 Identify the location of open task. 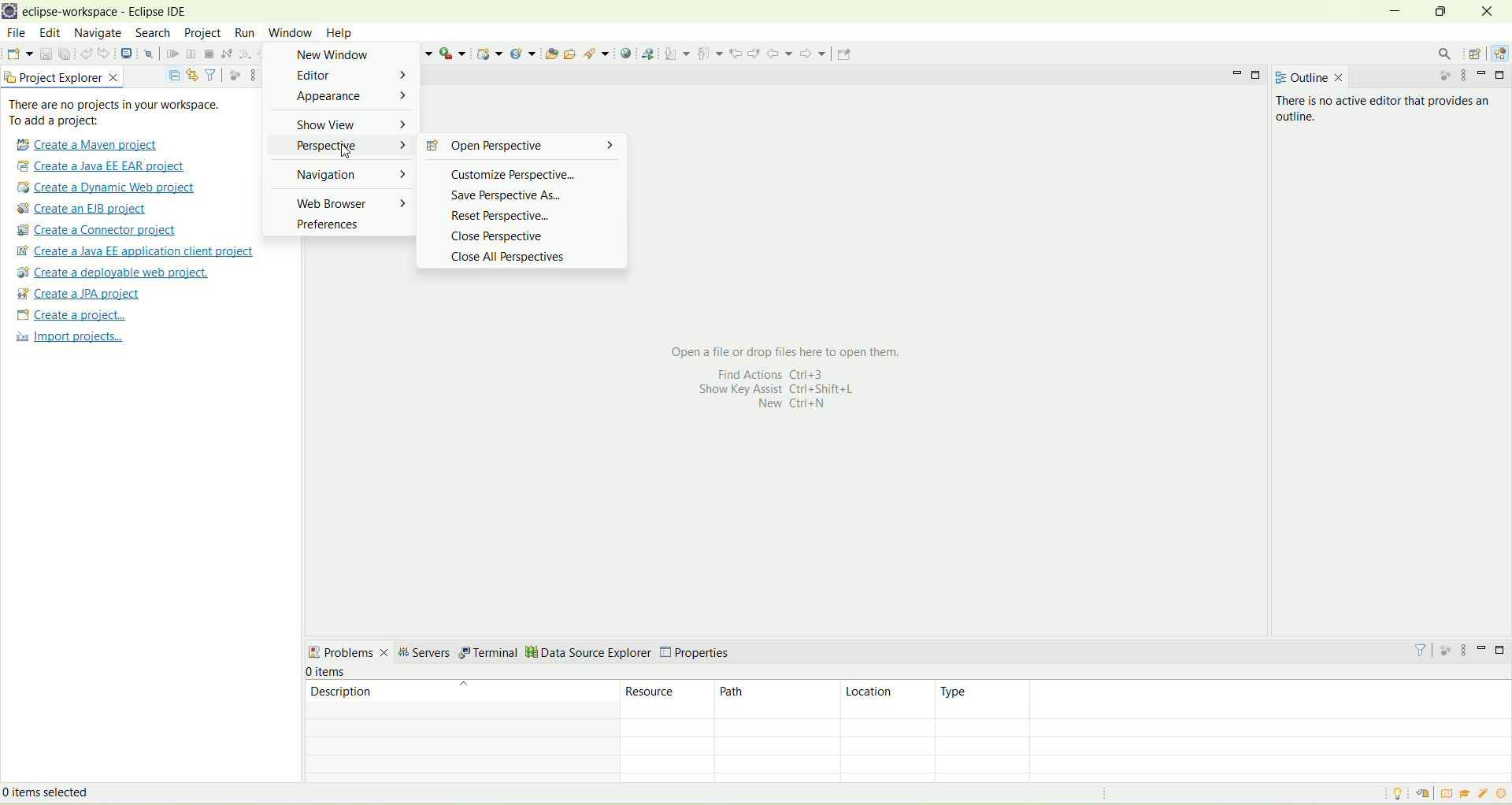
(572, 54).